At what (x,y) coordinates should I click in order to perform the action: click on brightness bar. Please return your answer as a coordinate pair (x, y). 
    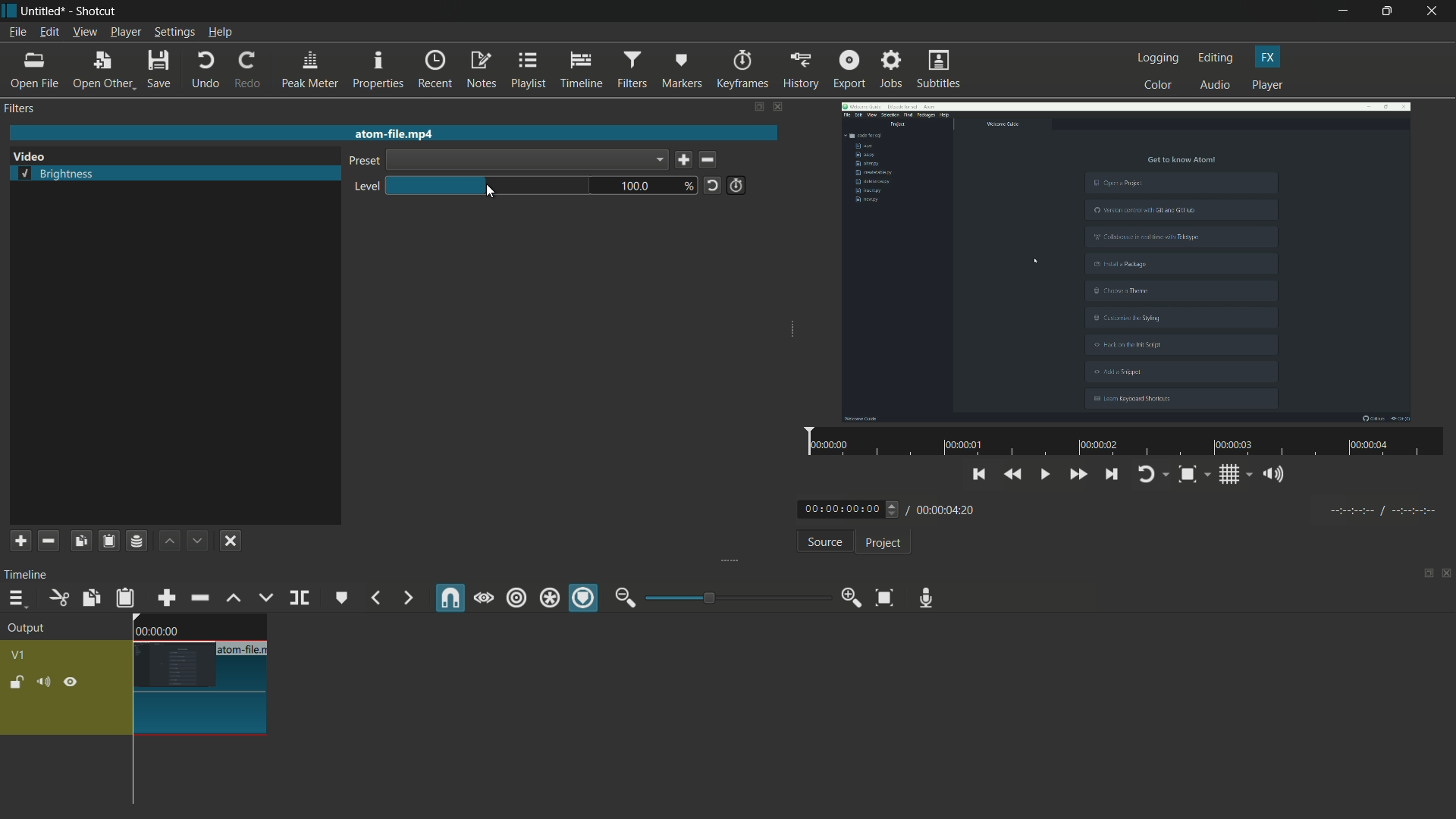
    Looking at the image, I should click on (490, 186).